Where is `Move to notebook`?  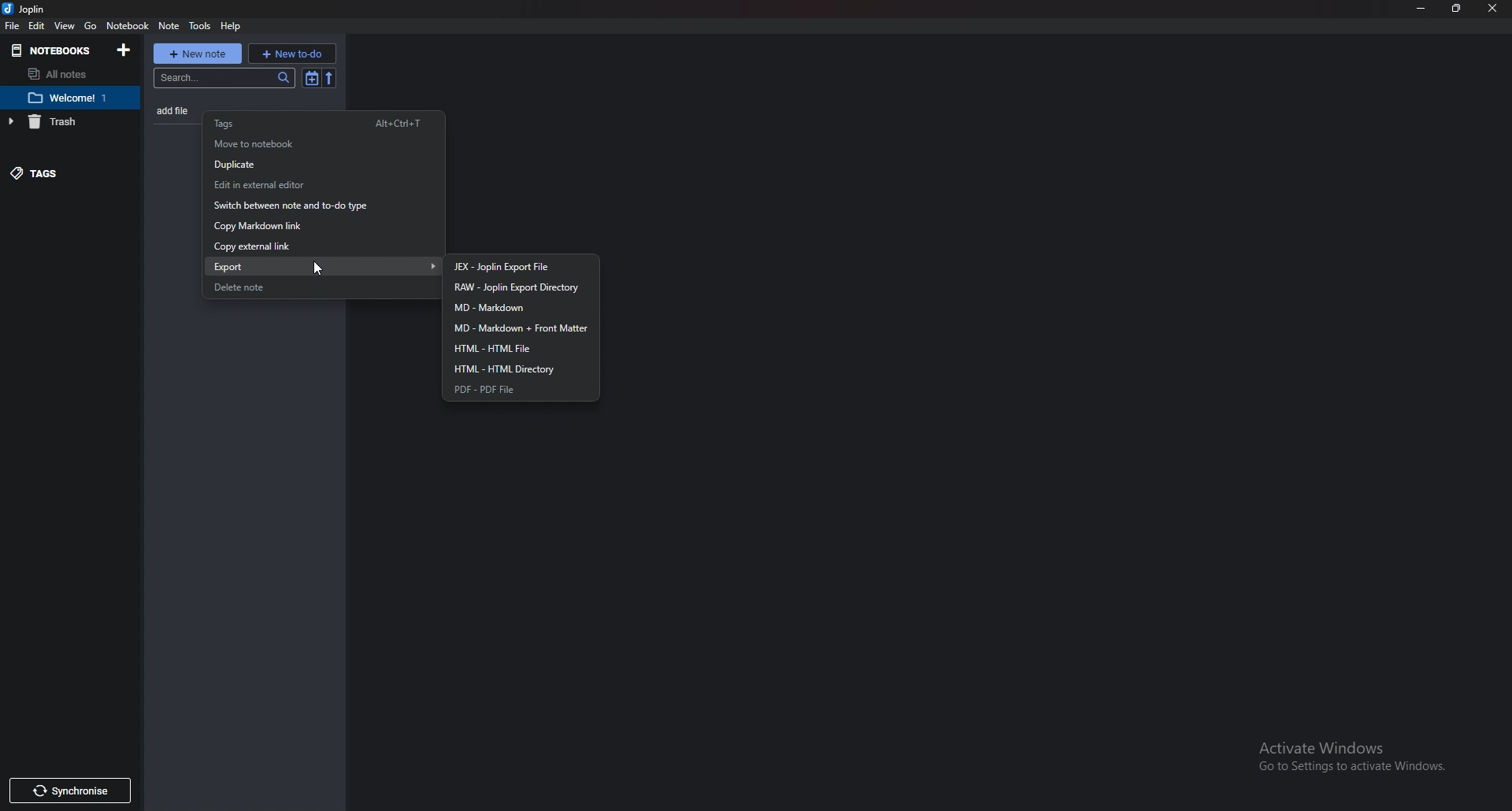 Move to notebook is located at coordinates (312, 143).